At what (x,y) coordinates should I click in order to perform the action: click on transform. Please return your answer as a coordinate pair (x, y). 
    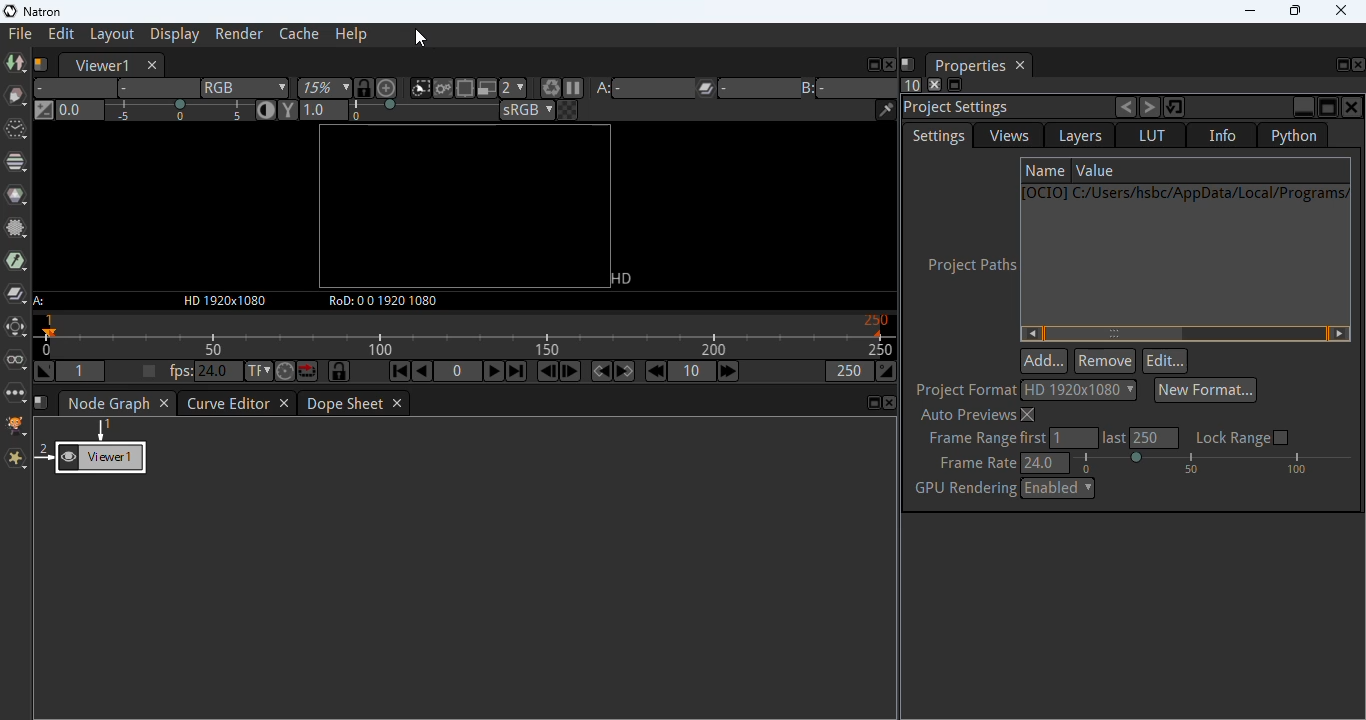
    Looking at the image, I should click on (15, 326).